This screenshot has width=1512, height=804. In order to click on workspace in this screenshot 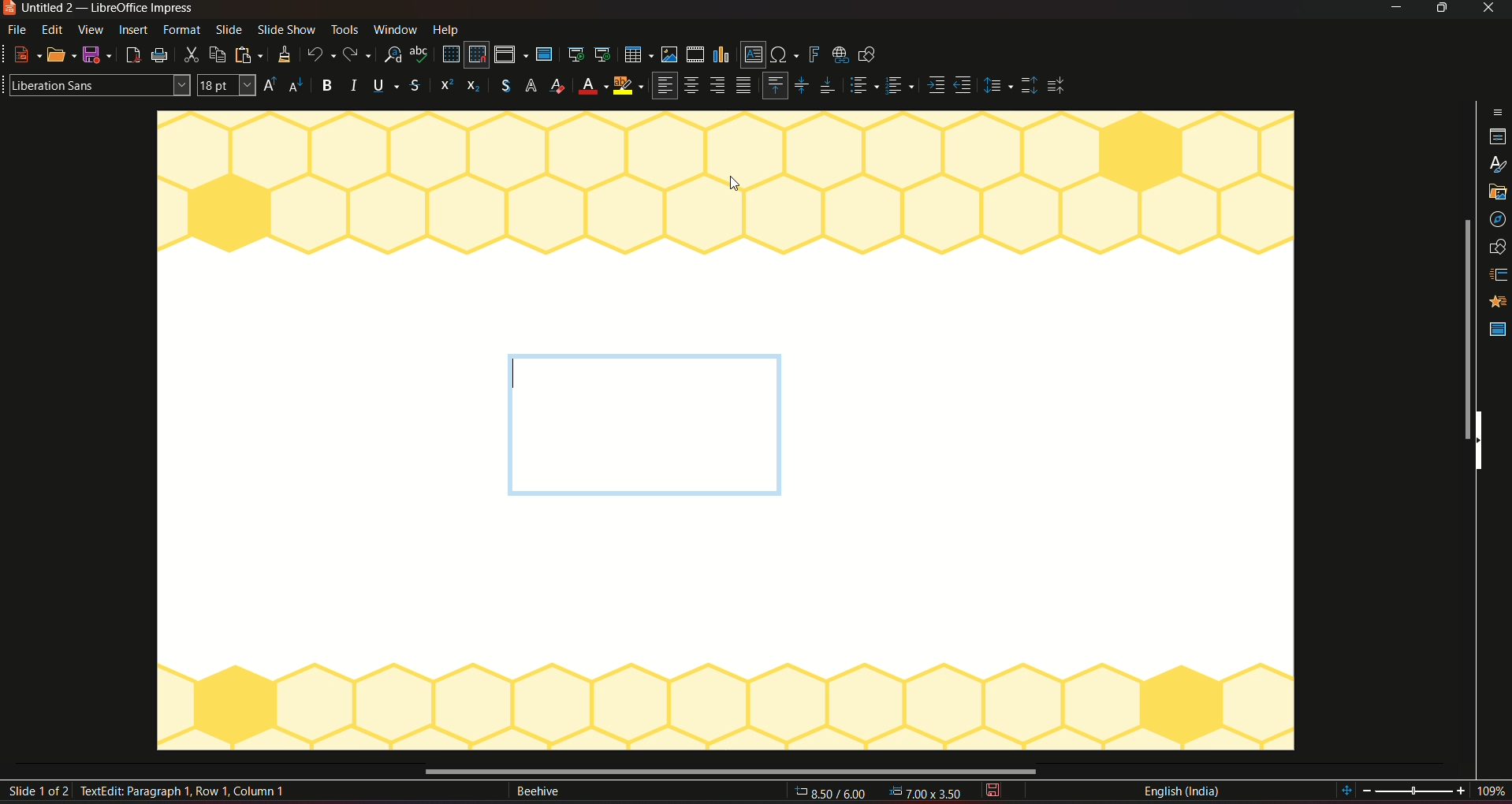, I will do `click(725, 643)`.